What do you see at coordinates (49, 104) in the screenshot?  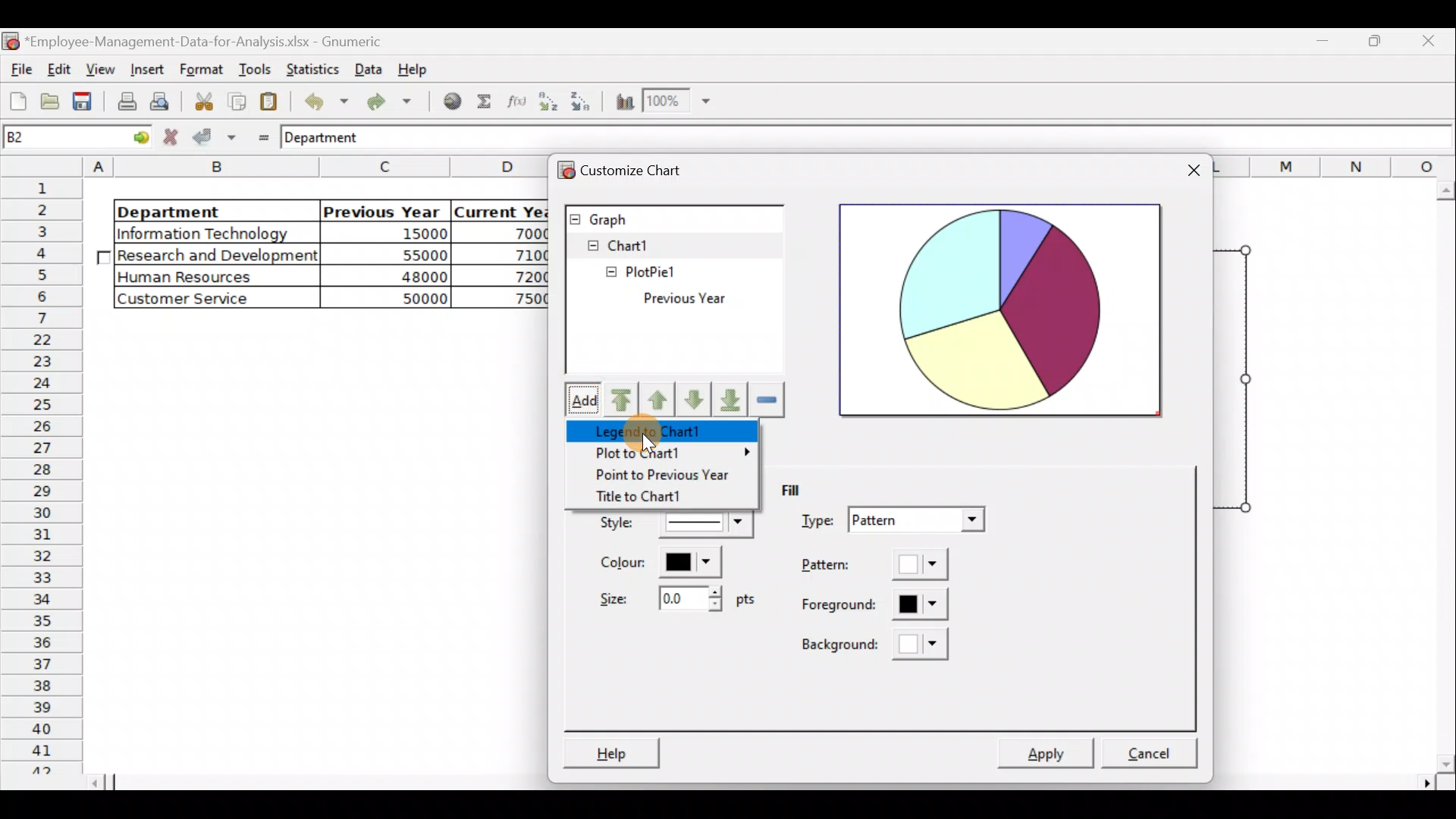 I see `Open a file` at bounding box center [49, 104].